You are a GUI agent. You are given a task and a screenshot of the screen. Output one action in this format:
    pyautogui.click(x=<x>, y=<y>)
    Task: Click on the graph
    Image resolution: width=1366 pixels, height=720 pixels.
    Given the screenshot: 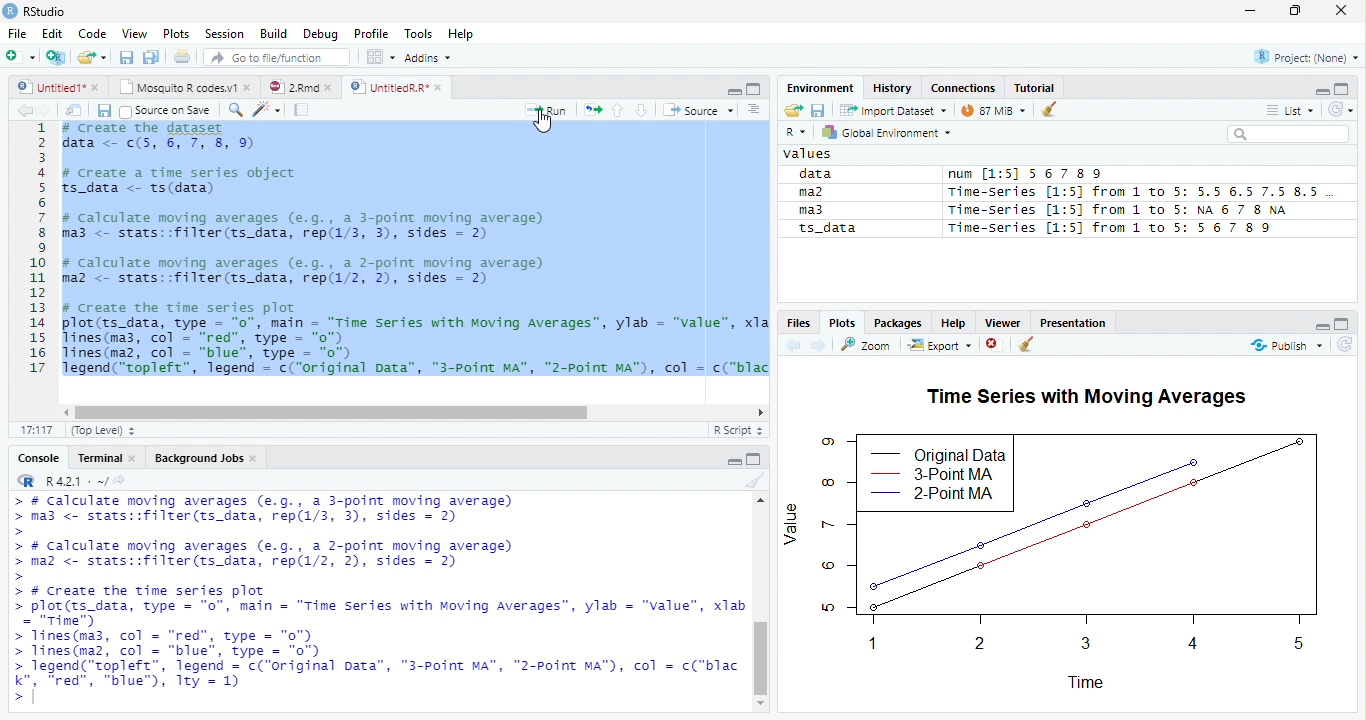 What is the action you would take?
    pyautogui.click(x=1063, y=558)
    